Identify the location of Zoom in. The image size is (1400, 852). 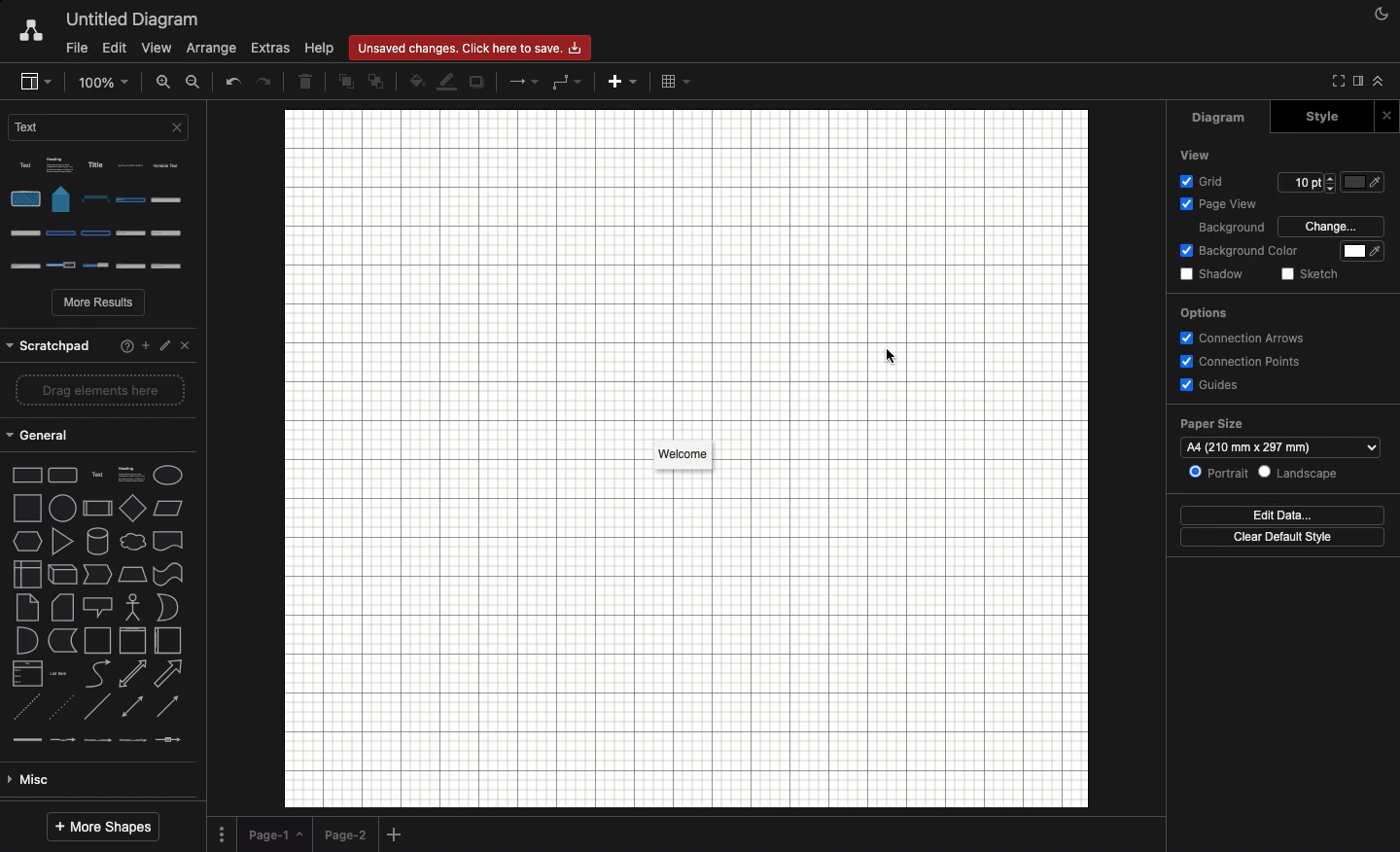
(164, 81).